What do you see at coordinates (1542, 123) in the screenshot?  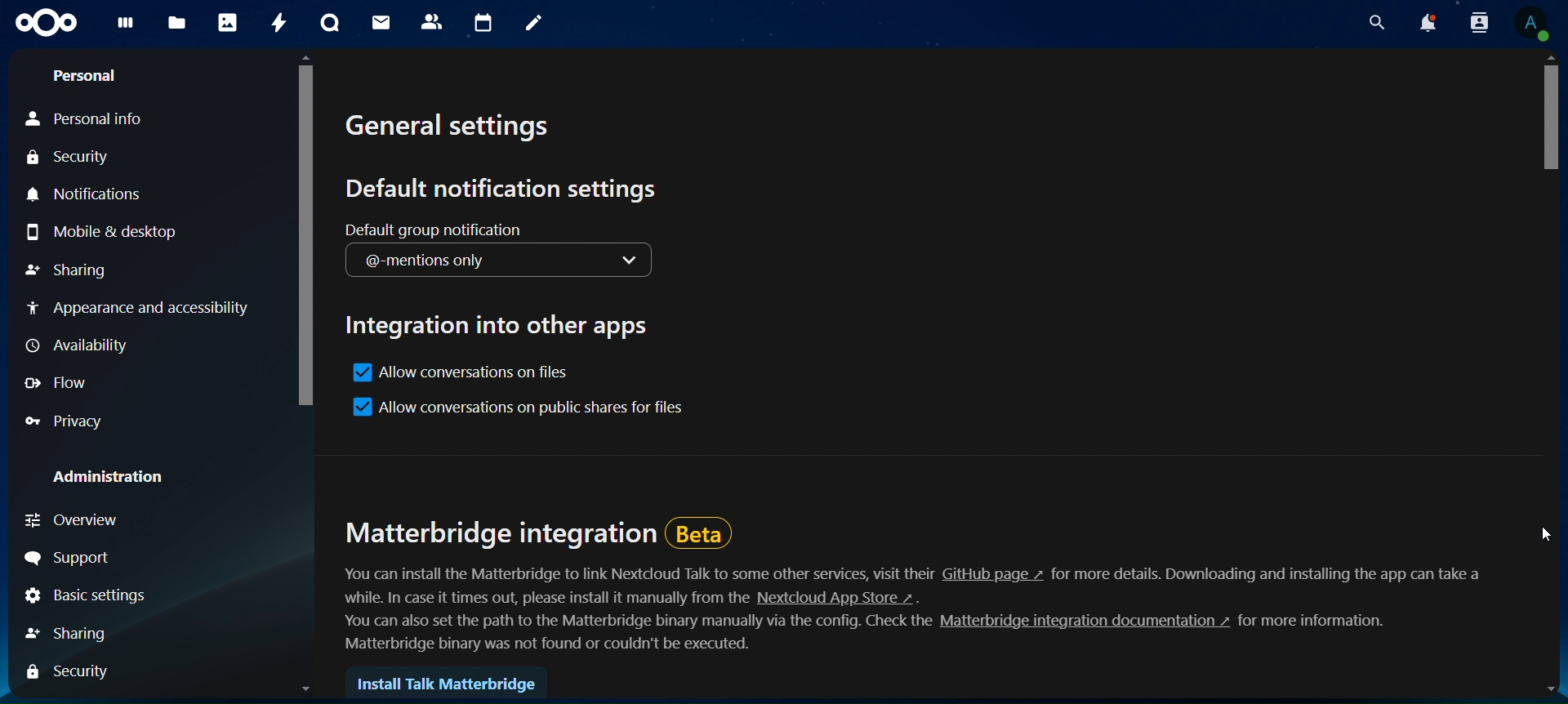 I see `scroll bar` at bounding box center [1542, 123].